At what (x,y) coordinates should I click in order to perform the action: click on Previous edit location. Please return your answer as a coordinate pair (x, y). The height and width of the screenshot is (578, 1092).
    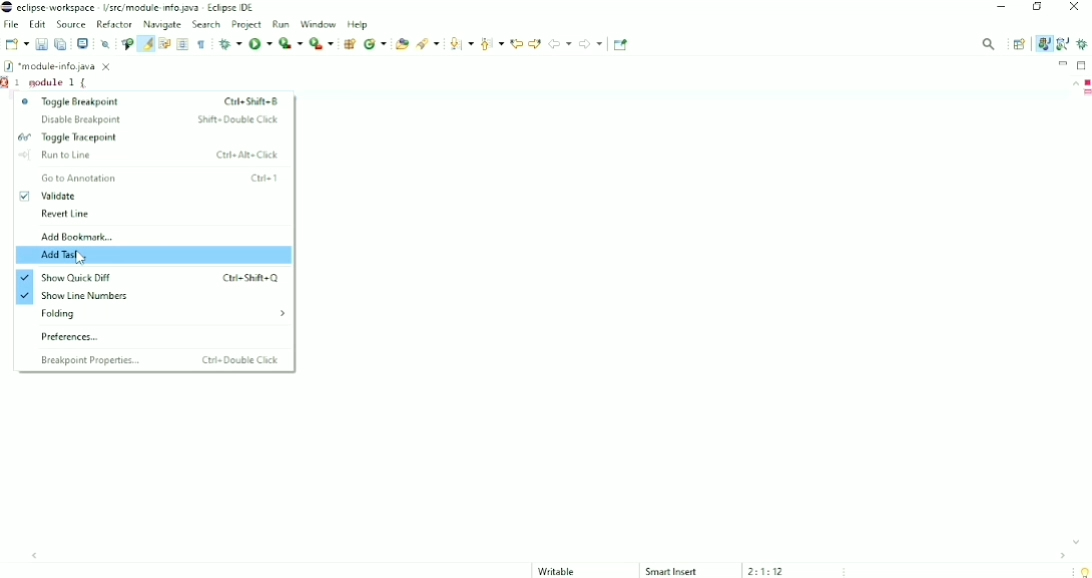
    Looking at the image, I should click on (516, 43).